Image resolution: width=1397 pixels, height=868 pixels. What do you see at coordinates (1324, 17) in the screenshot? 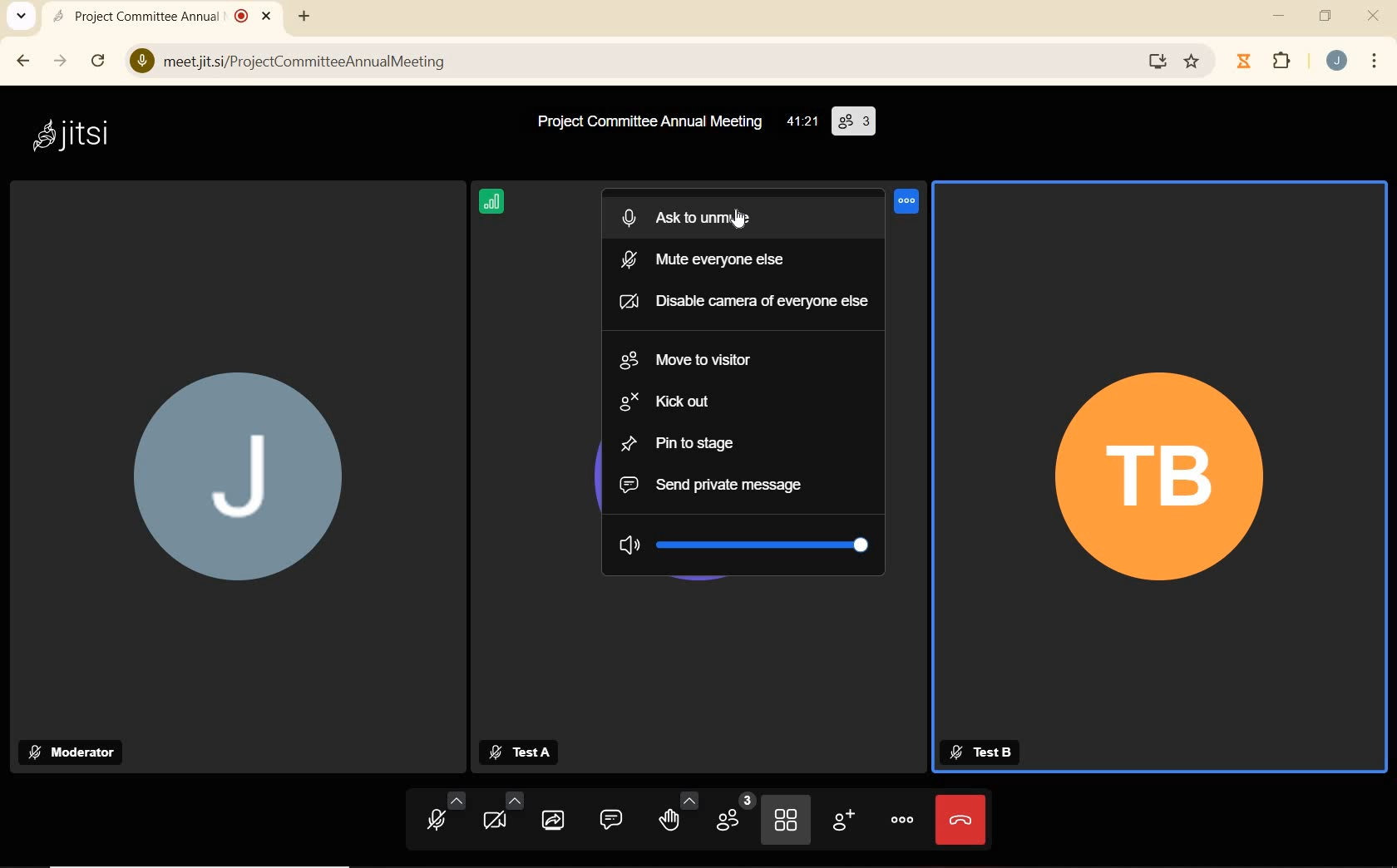
I see `RESTORE` at bounding box center [1324, 17].